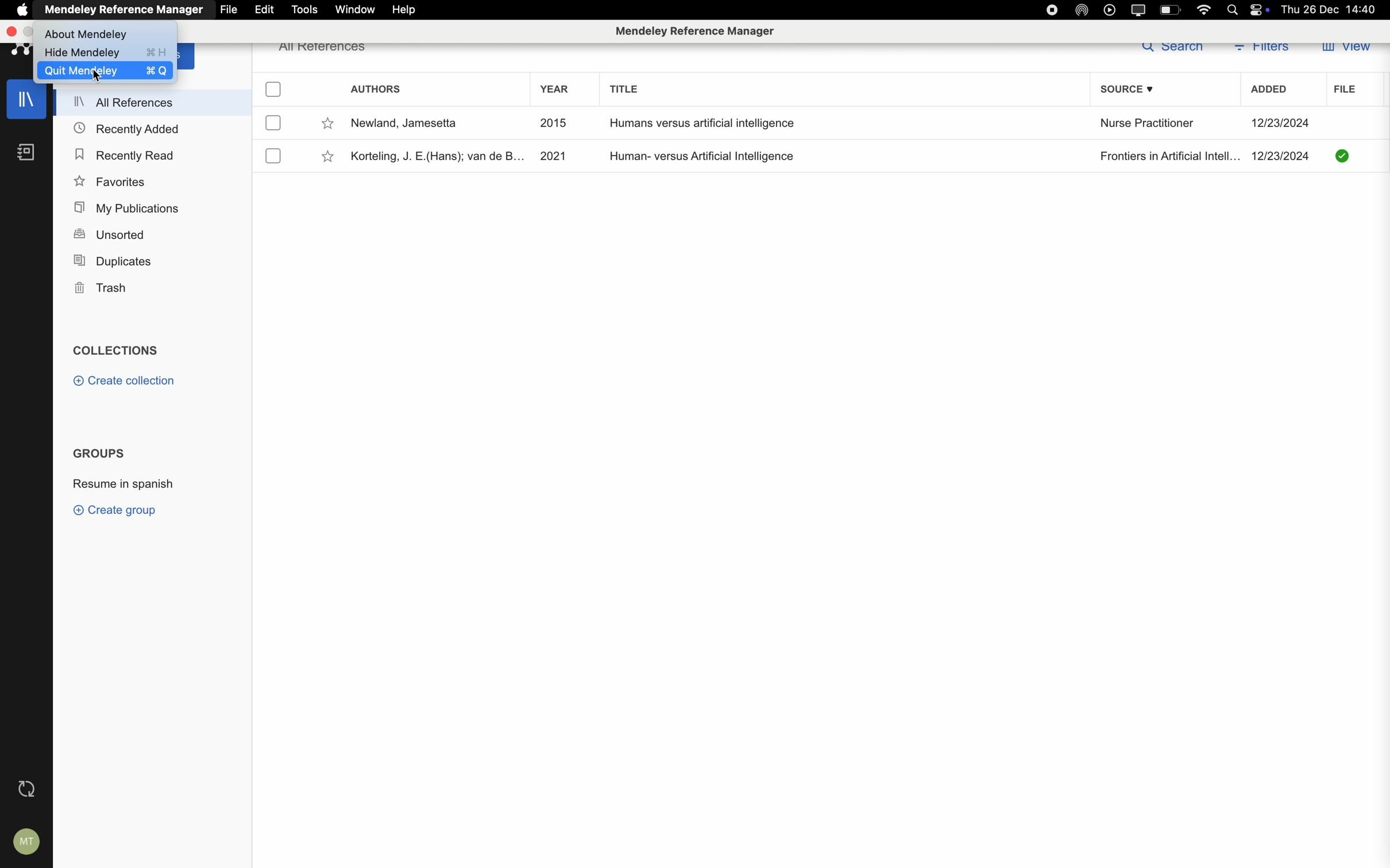  I want to click on screen, so click(1141, 9).